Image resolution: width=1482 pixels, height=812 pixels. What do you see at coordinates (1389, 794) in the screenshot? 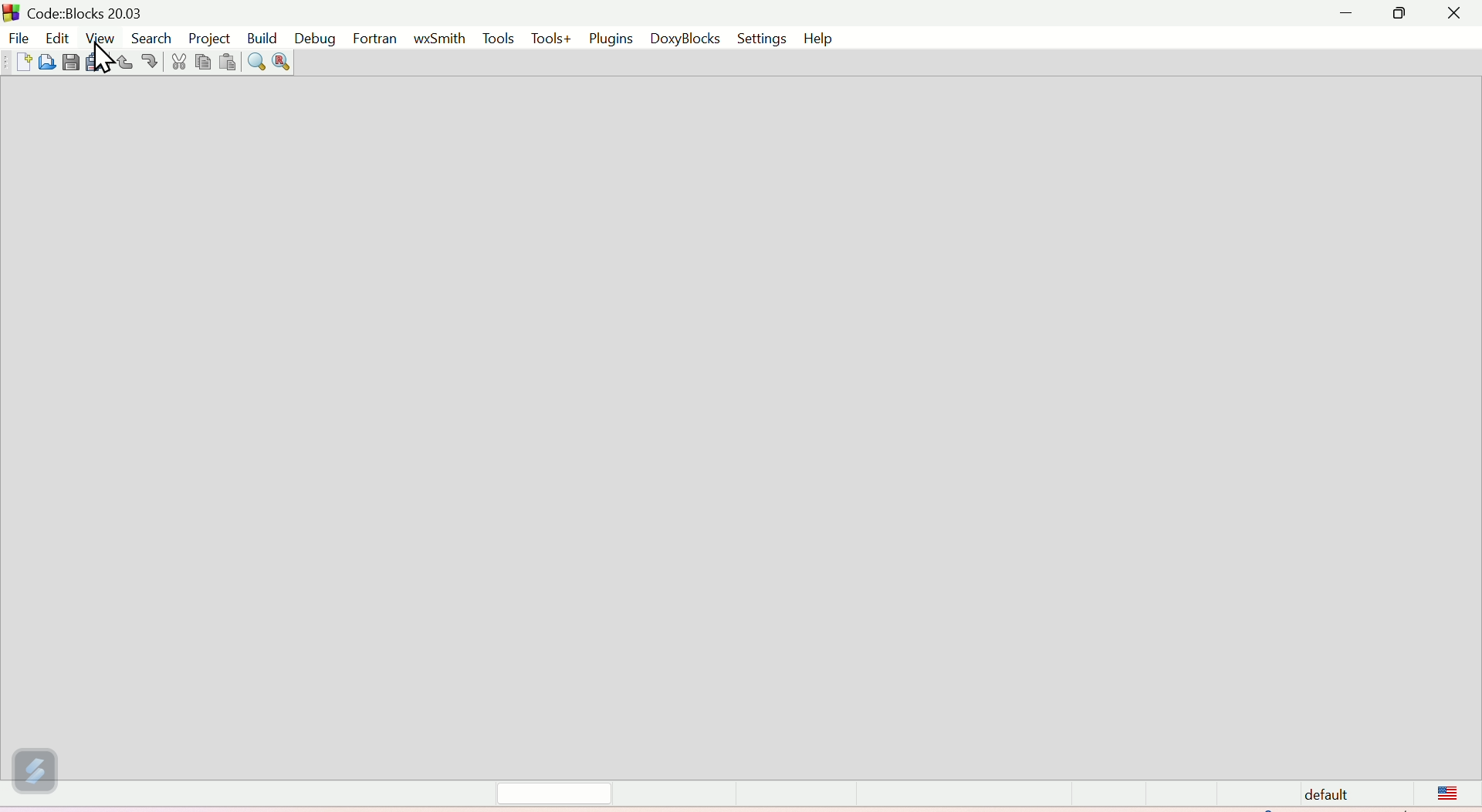
I see `Default` at bounding box center [1389, 794].